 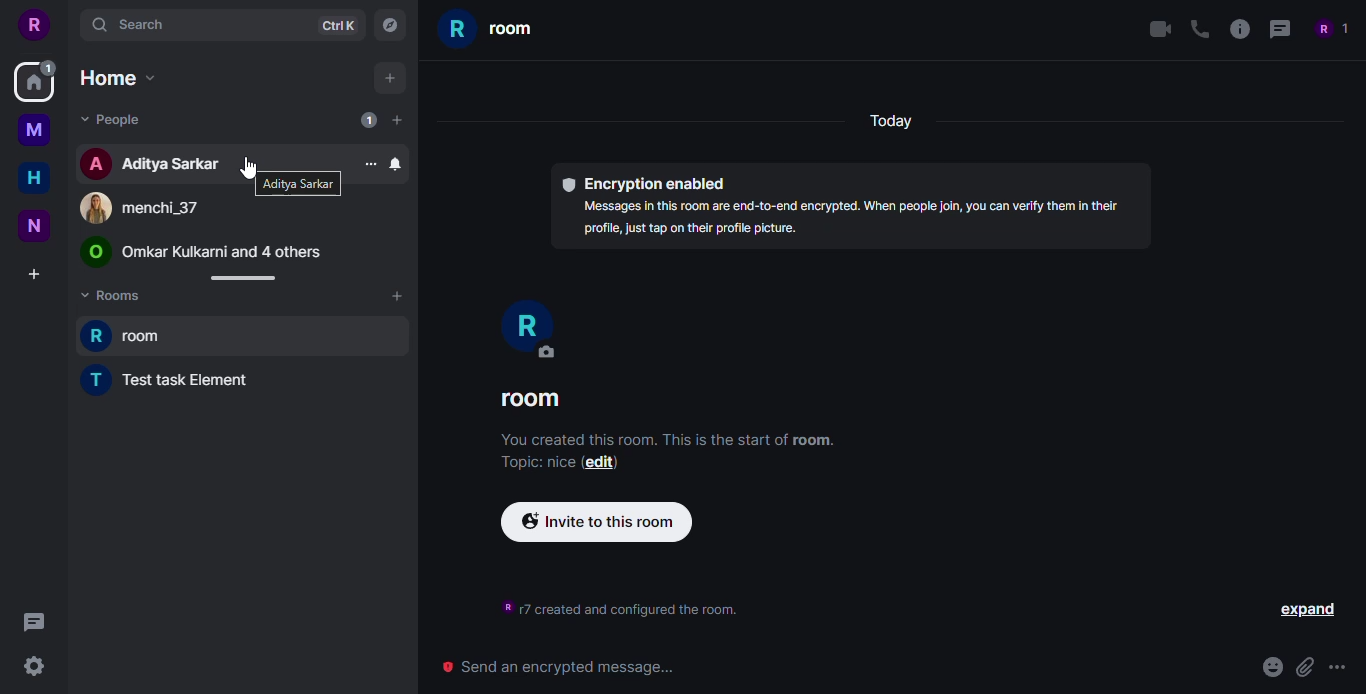 What do you see at coordinates (1340, 670) in the screenshot?
I see `more options` at bounding box center [1340, 670].